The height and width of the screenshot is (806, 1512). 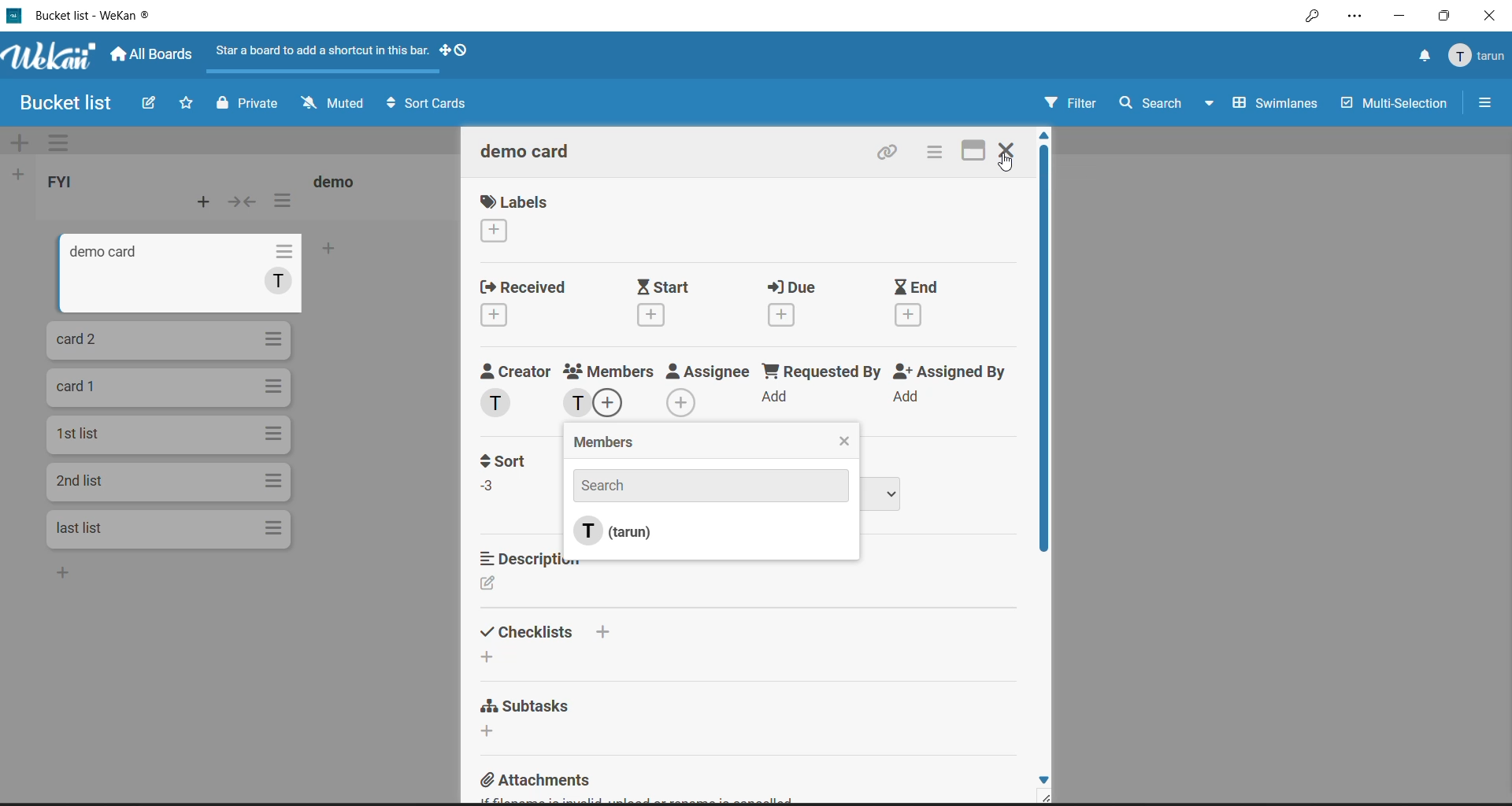 What do you see at coordinates (80, 15) in the screenshot?
I see `file title` at bounding box center [80, 15].